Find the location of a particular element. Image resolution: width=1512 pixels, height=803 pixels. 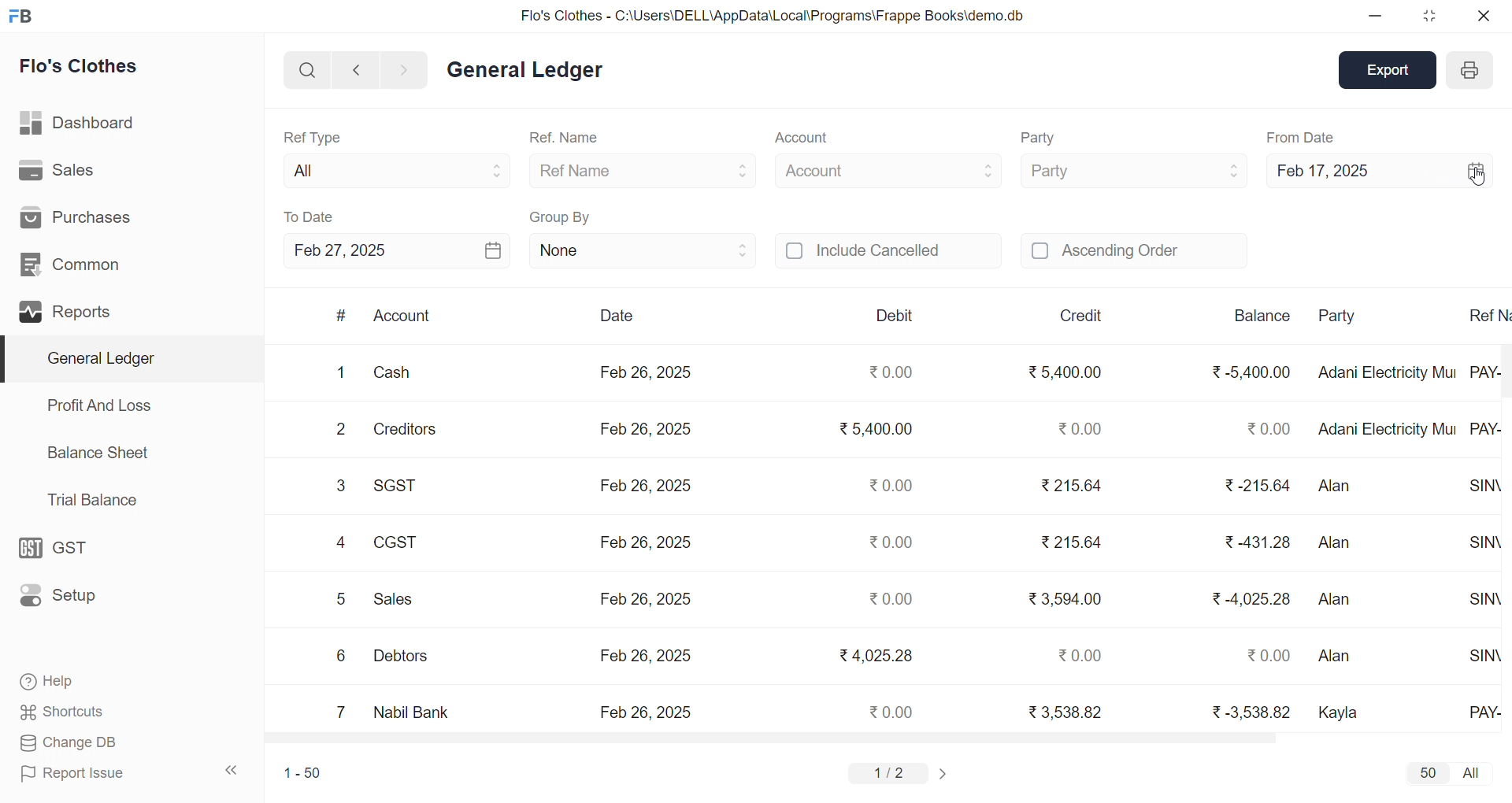

Shortcuts is located at coordinates (62, 709).